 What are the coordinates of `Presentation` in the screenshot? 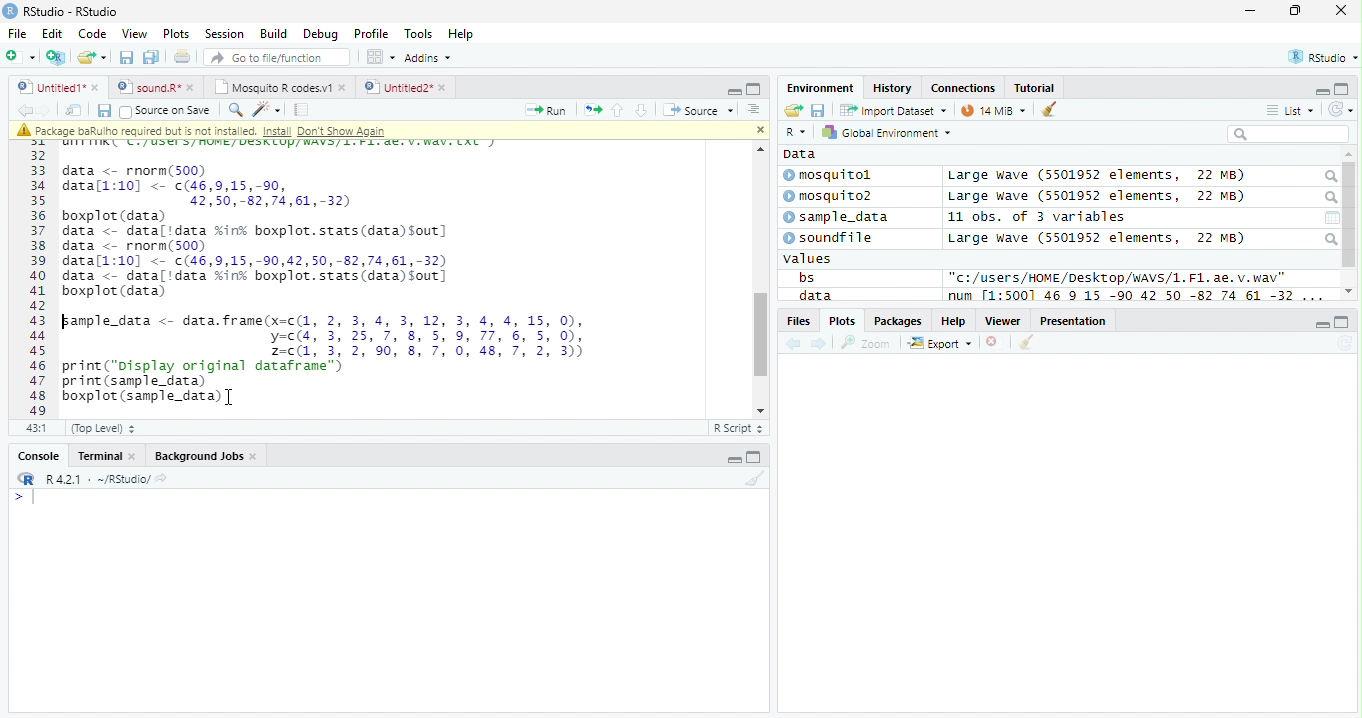 It's located at (1073, 320).